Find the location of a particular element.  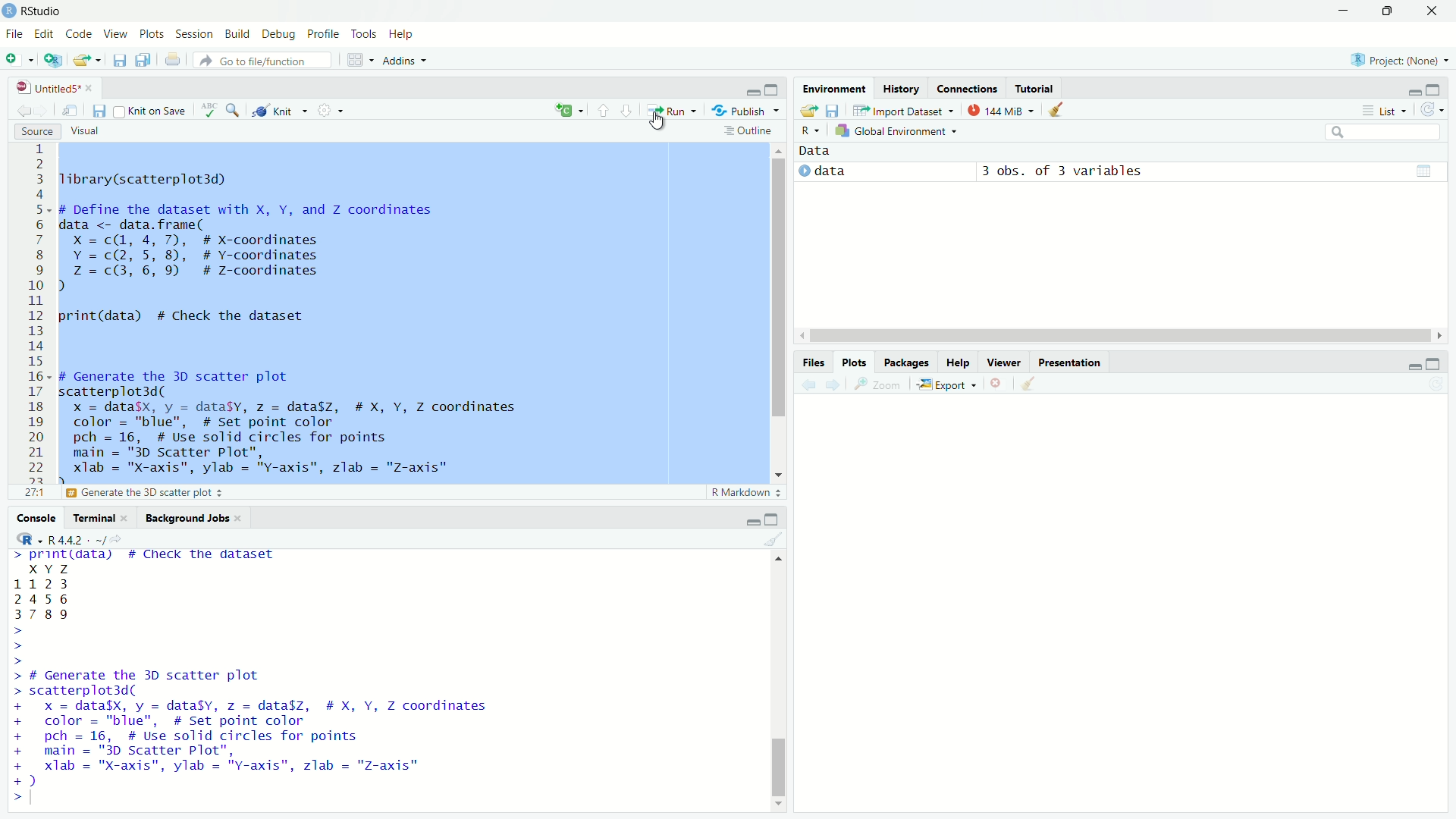

144 MiB is located at coordinates (1000, 111).